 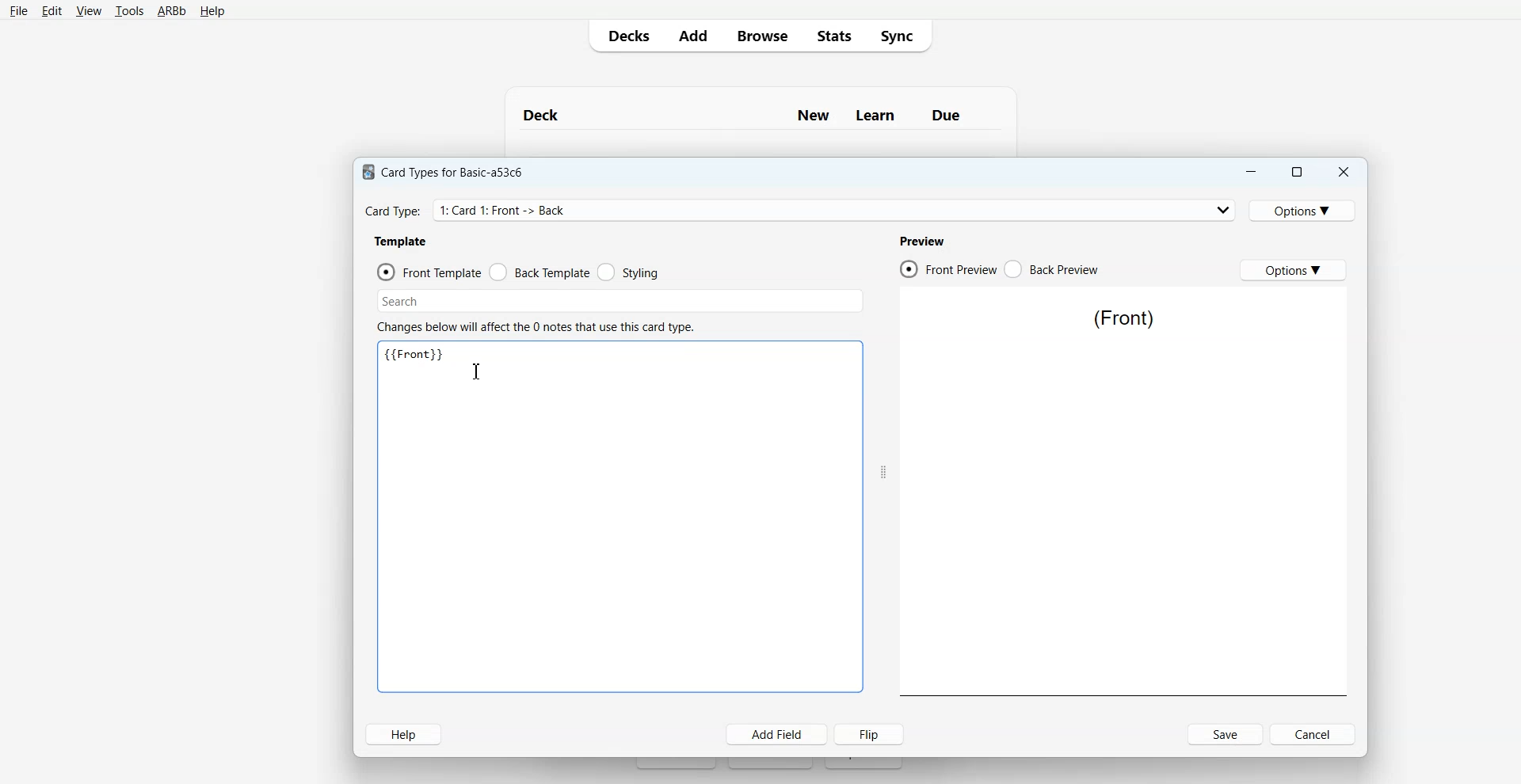 I want to click on Browse, so click(x=761, y=35).